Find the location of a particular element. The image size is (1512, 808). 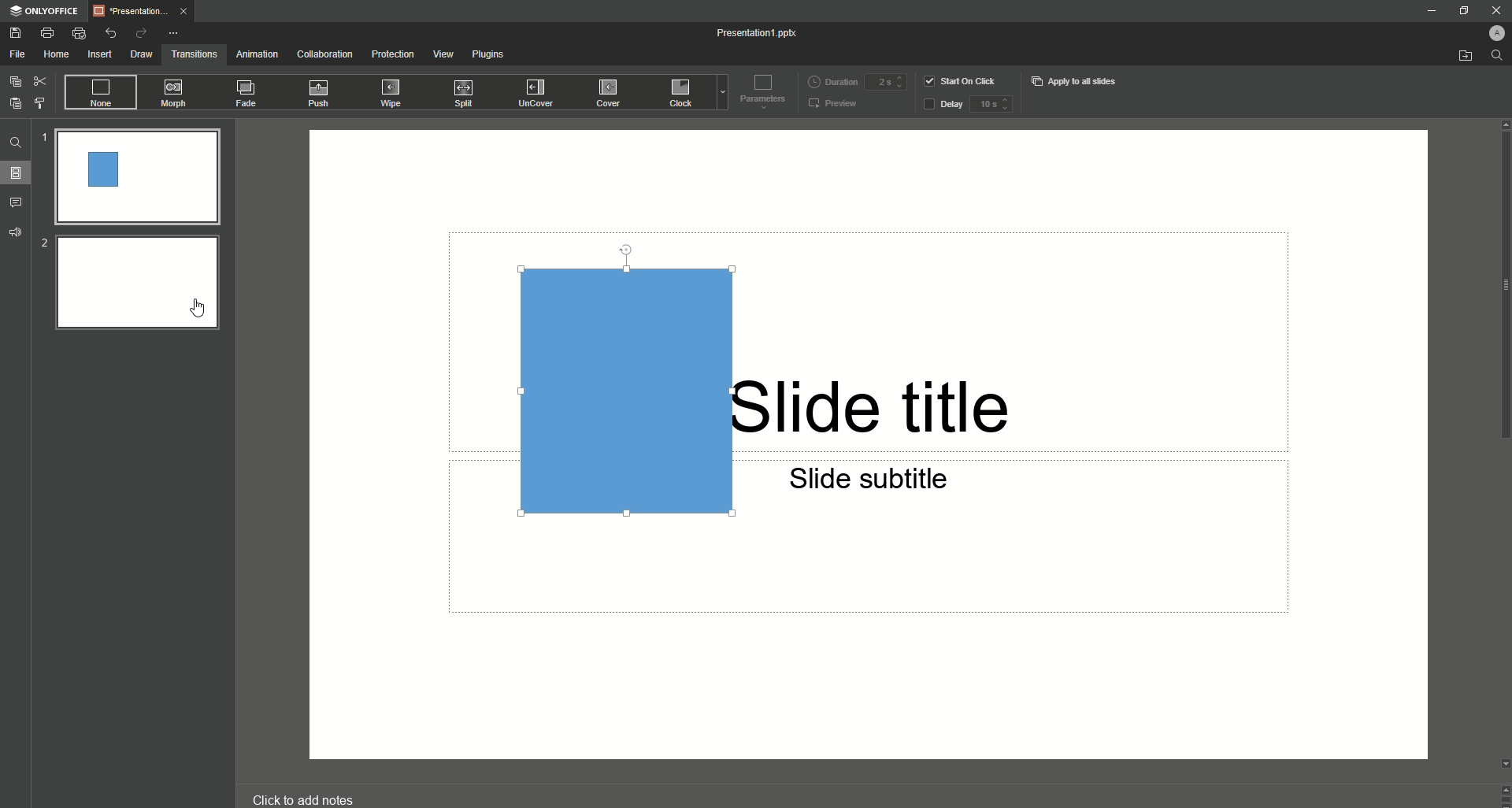

Drop down menu is located at coordinates (720, 94).